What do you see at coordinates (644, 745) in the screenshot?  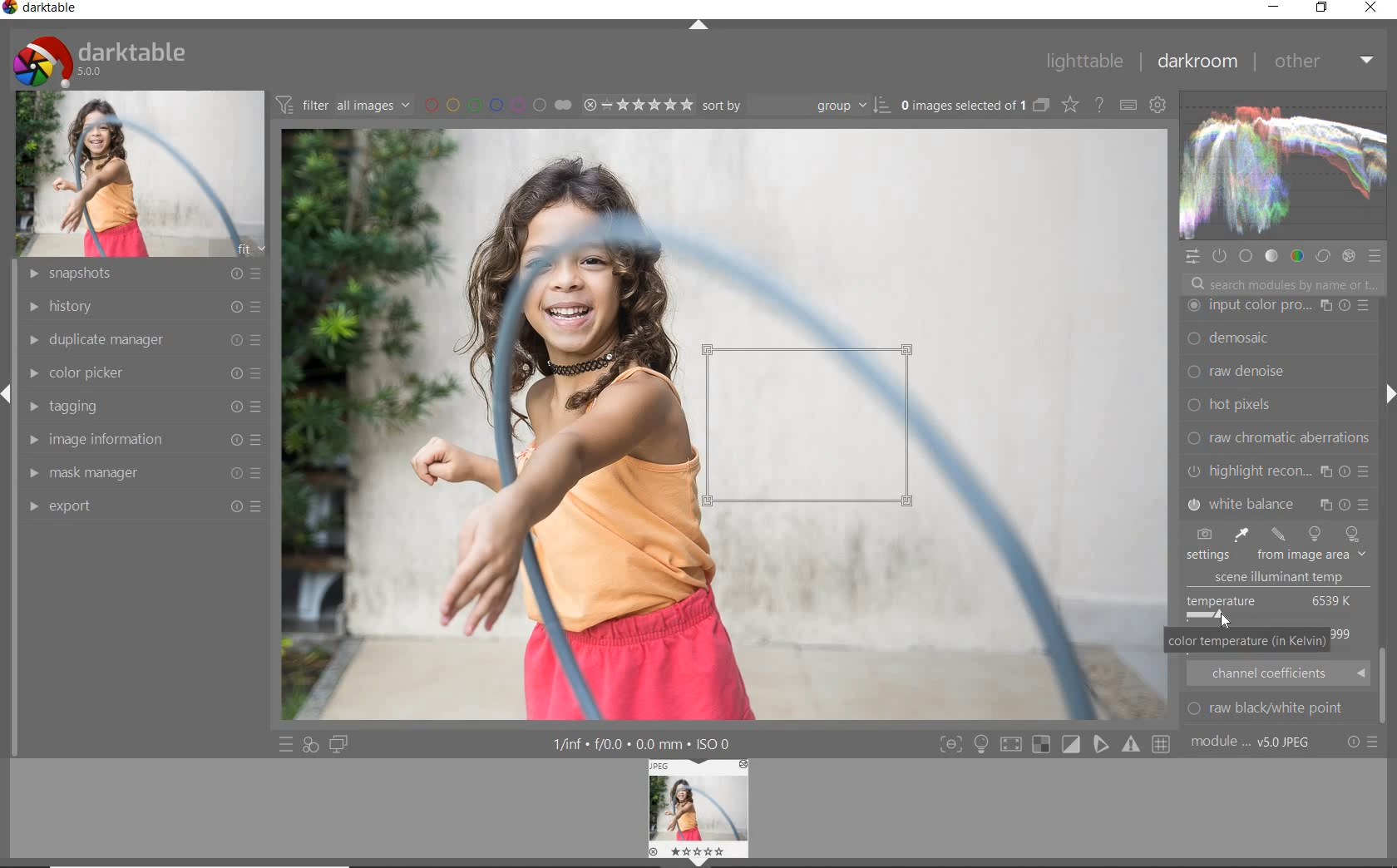 I see `other interface details` at bounding box center [644, 745].